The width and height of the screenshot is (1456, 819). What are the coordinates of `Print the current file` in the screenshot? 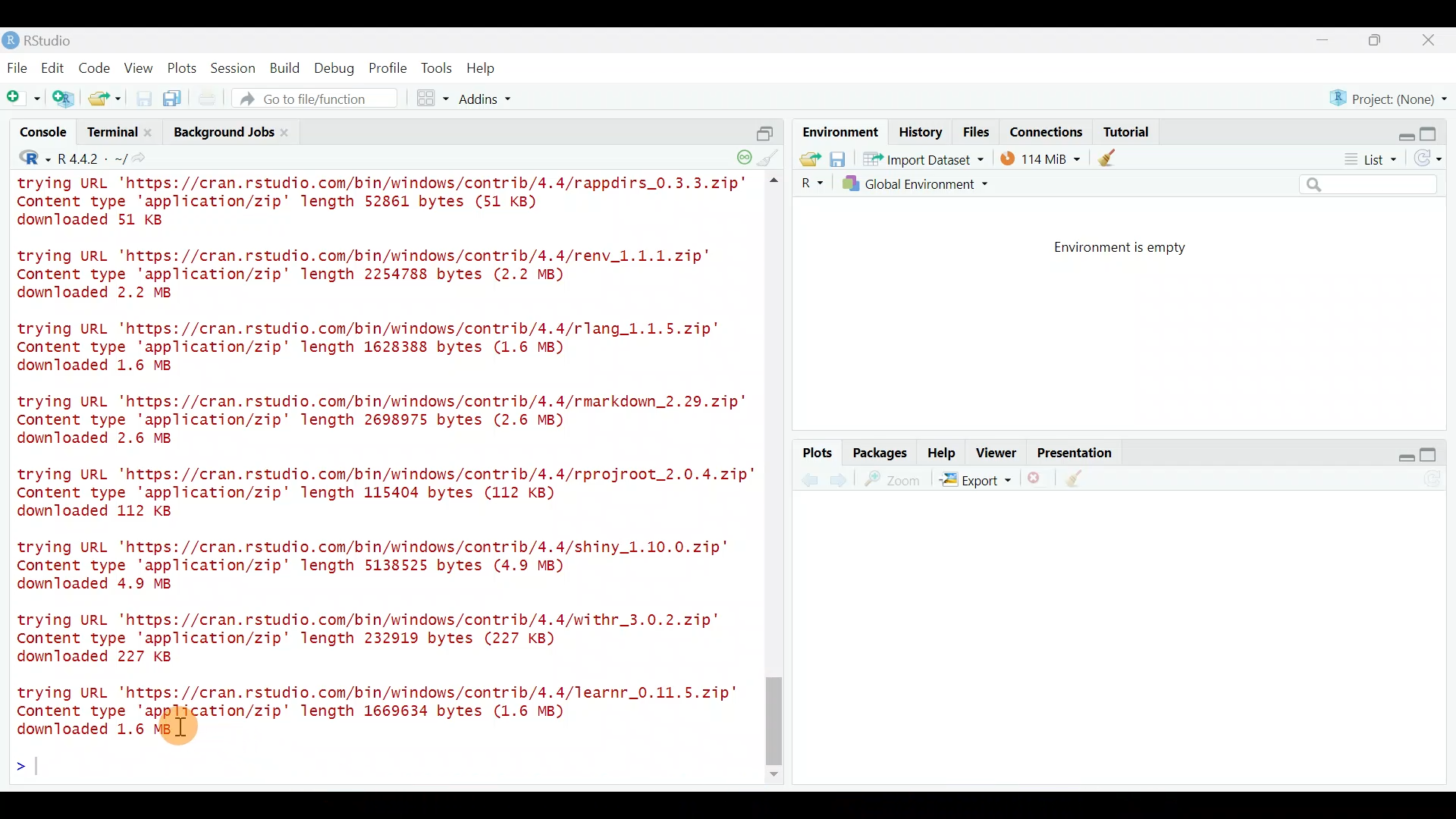 It's located at (209, 99).